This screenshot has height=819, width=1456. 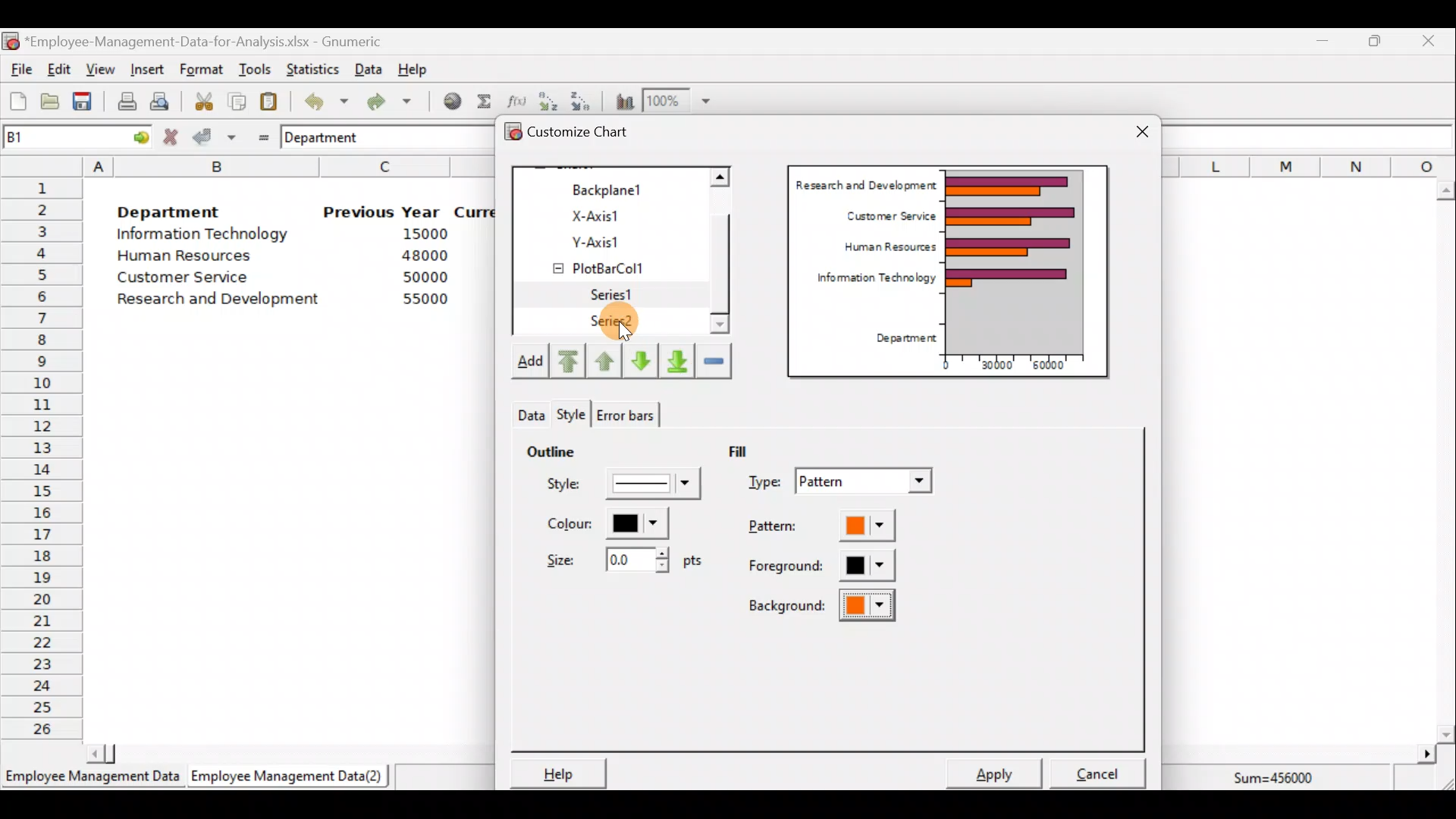 I want to click on Help, so click(x=556, y=773).